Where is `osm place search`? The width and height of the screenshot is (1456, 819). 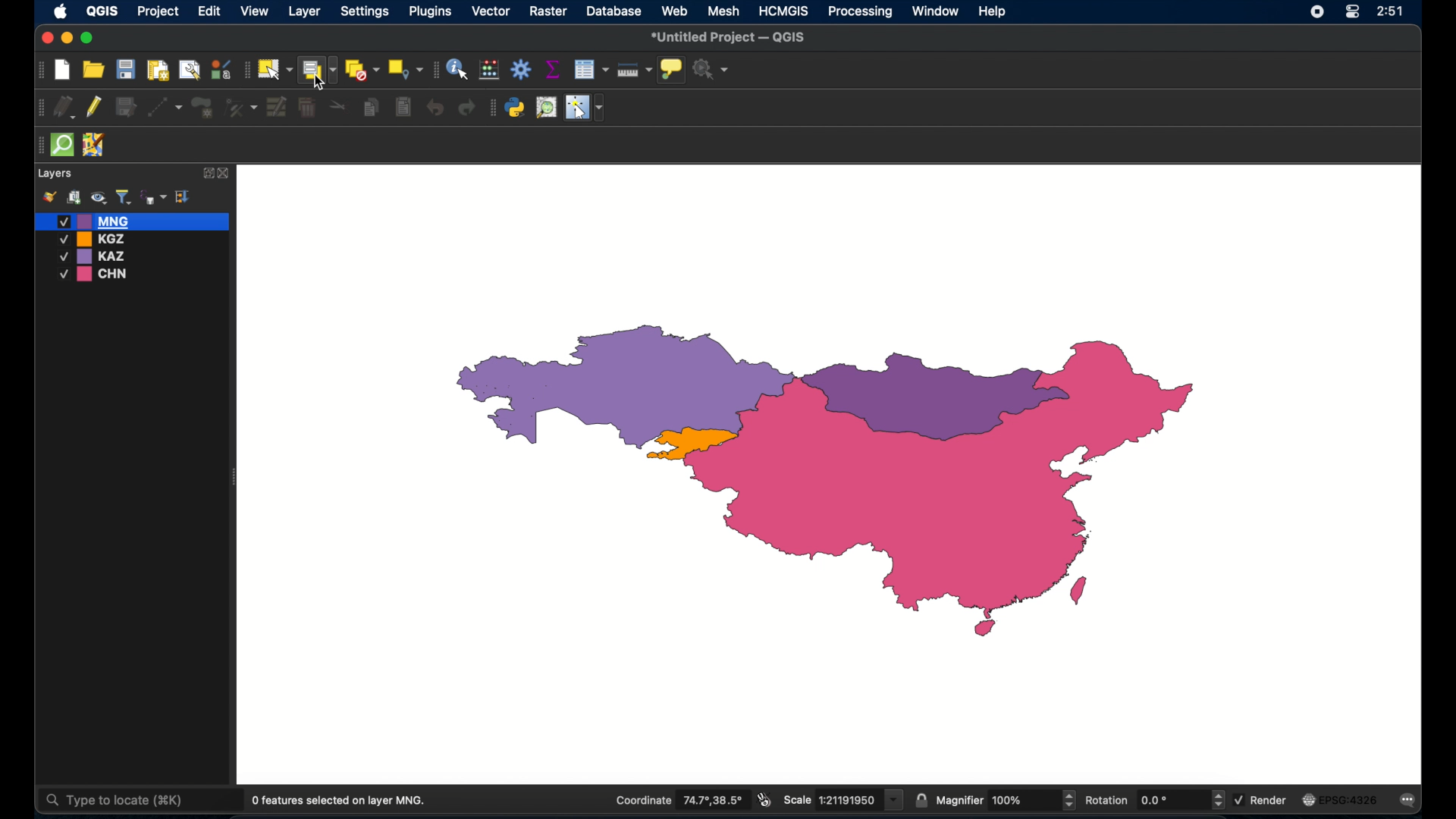
osm place search is located at coordinates (546, 108).